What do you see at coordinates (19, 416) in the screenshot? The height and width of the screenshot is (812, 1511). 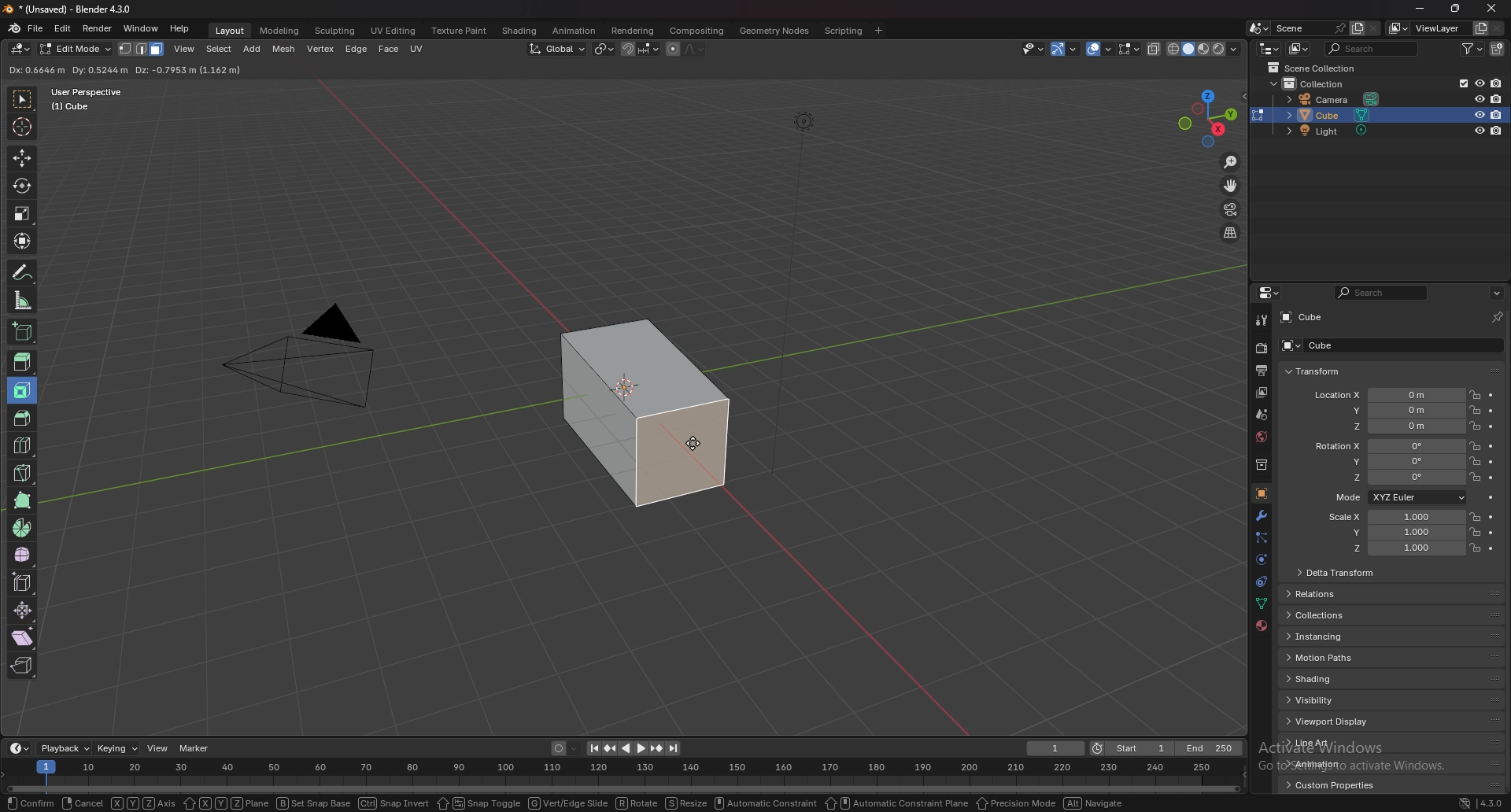 I see `bevel` at bounding box center [19, 416].